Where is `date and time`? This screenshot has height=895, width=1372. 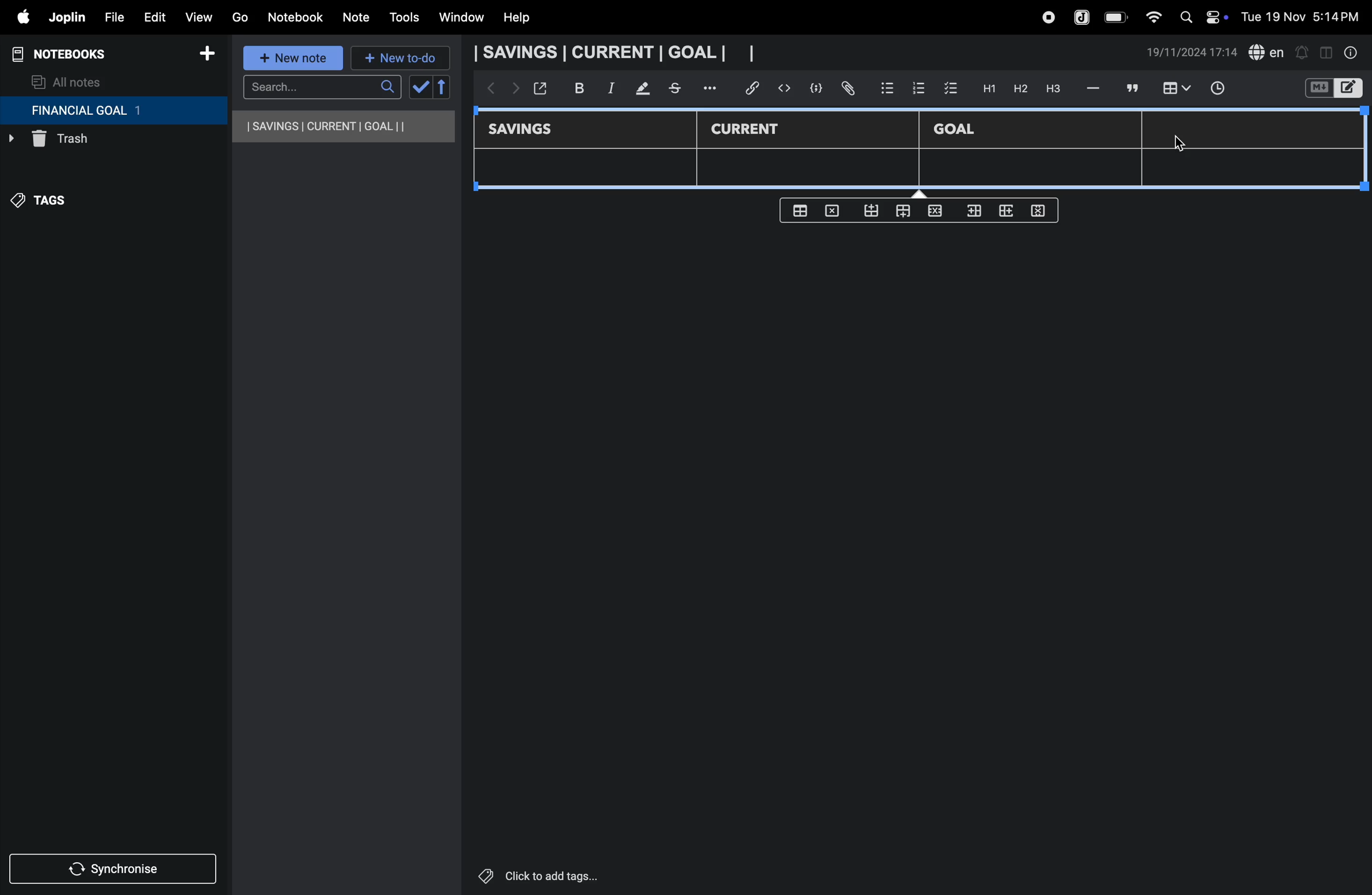
date and time is located at coordinates (1304, 16).